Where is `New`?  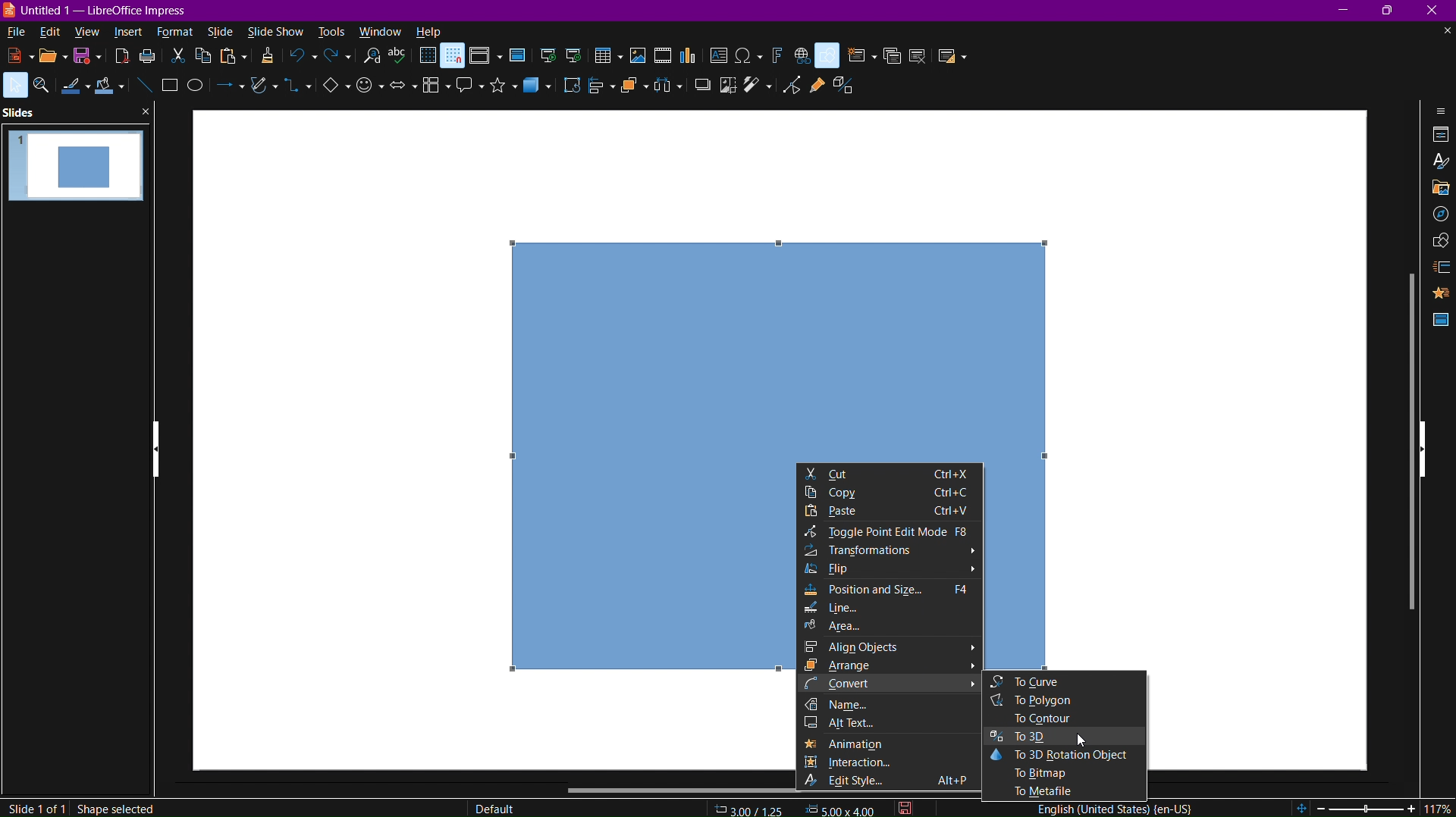
New is located at coordinates (14, 55).